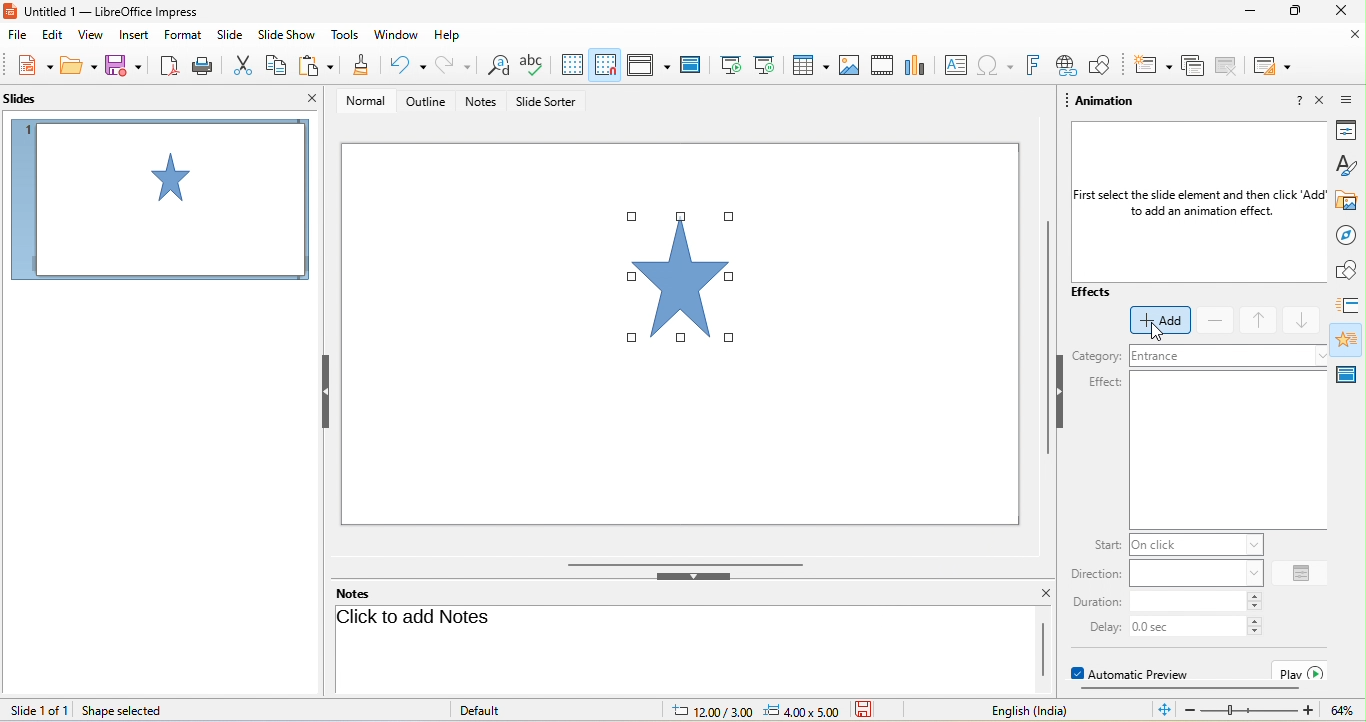 This screenshot has height=722, width=1366. Describe the element at coordinates (1351, 36) in the screenshot. I see `close` at that location.